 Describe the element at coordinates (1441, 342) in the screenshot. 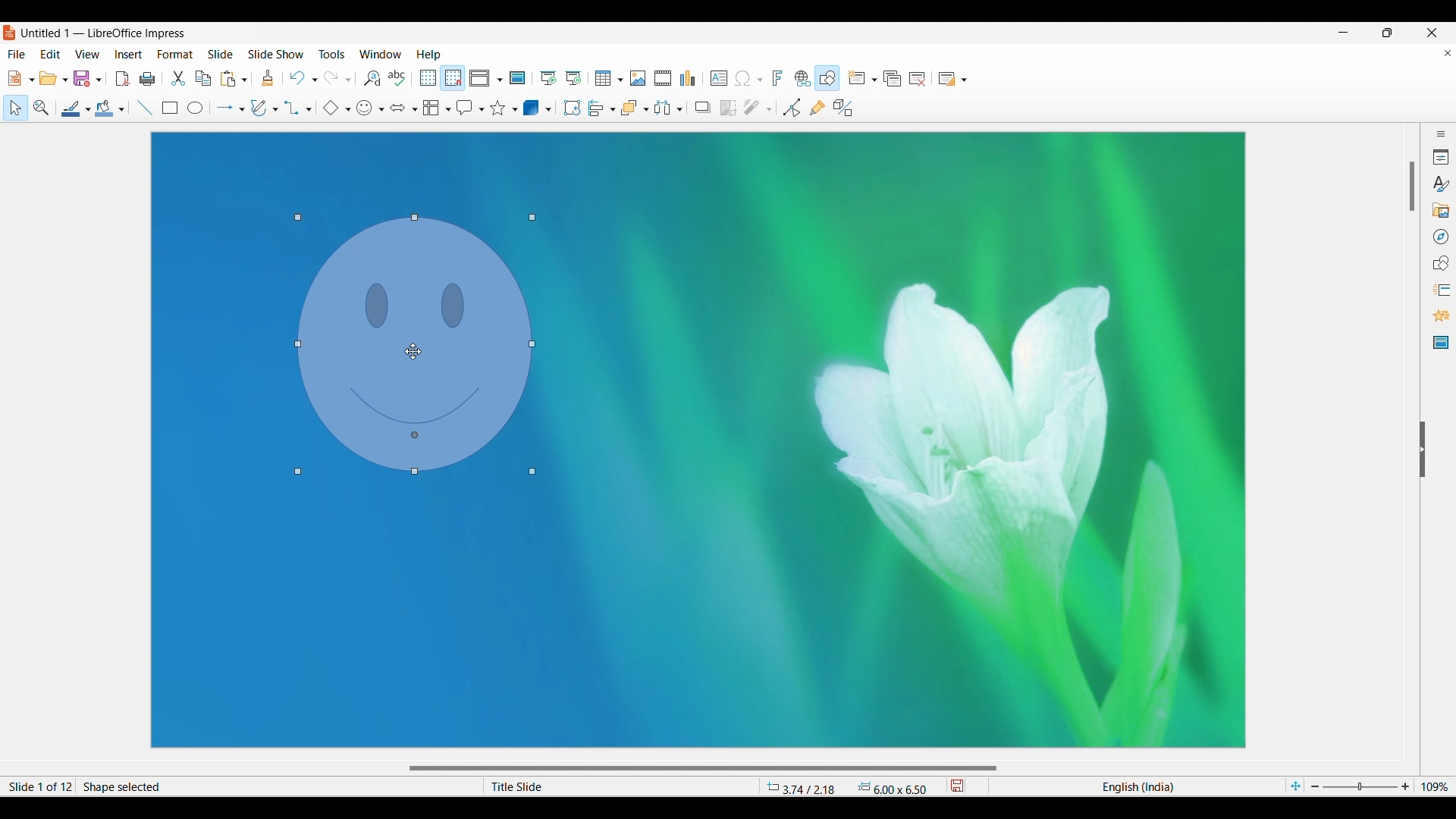

I see `Master slides` at that location.